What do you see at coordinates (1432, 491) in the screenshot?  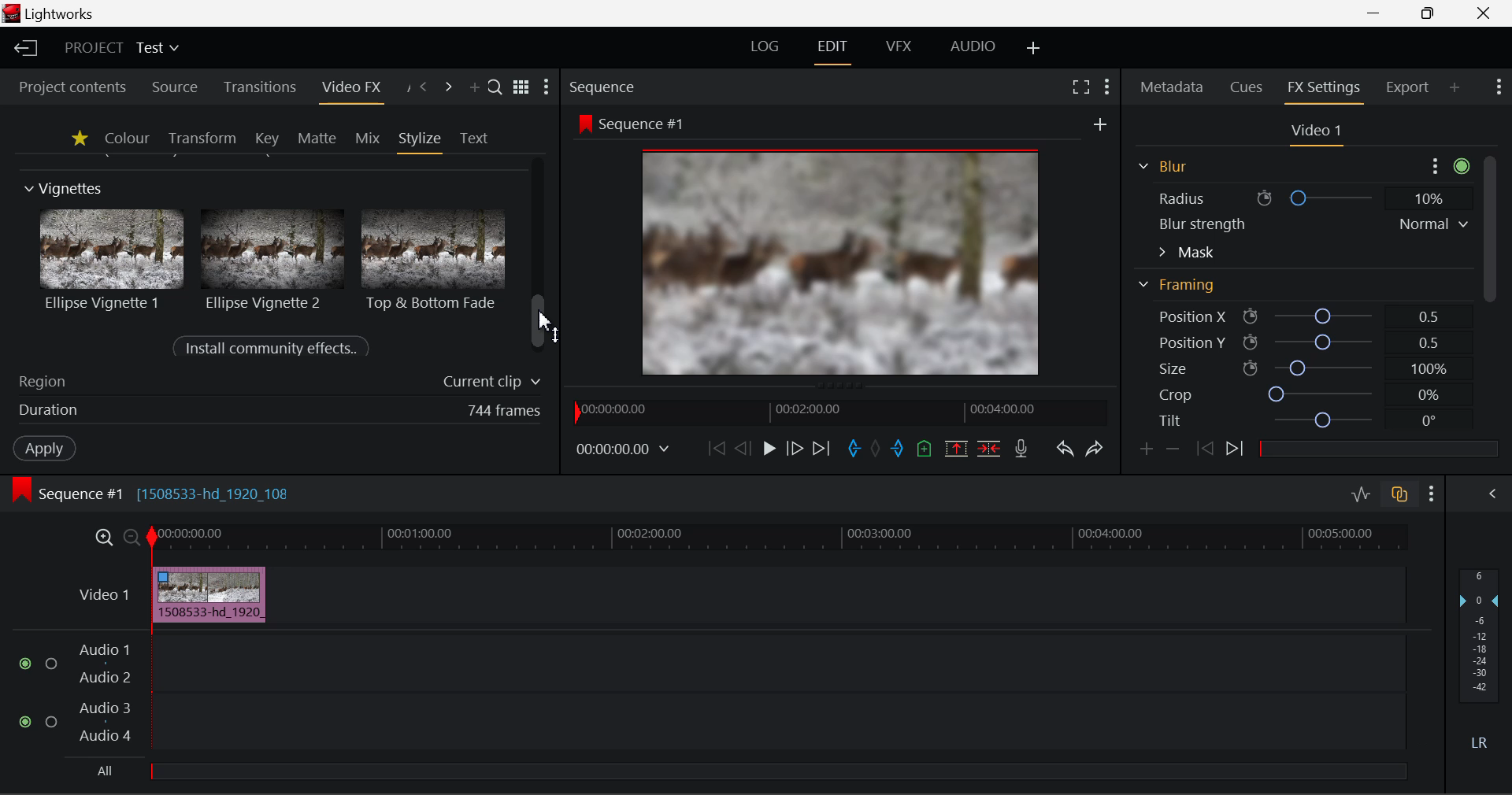 I see `Show Settings` at bounding box center [1432, 491].